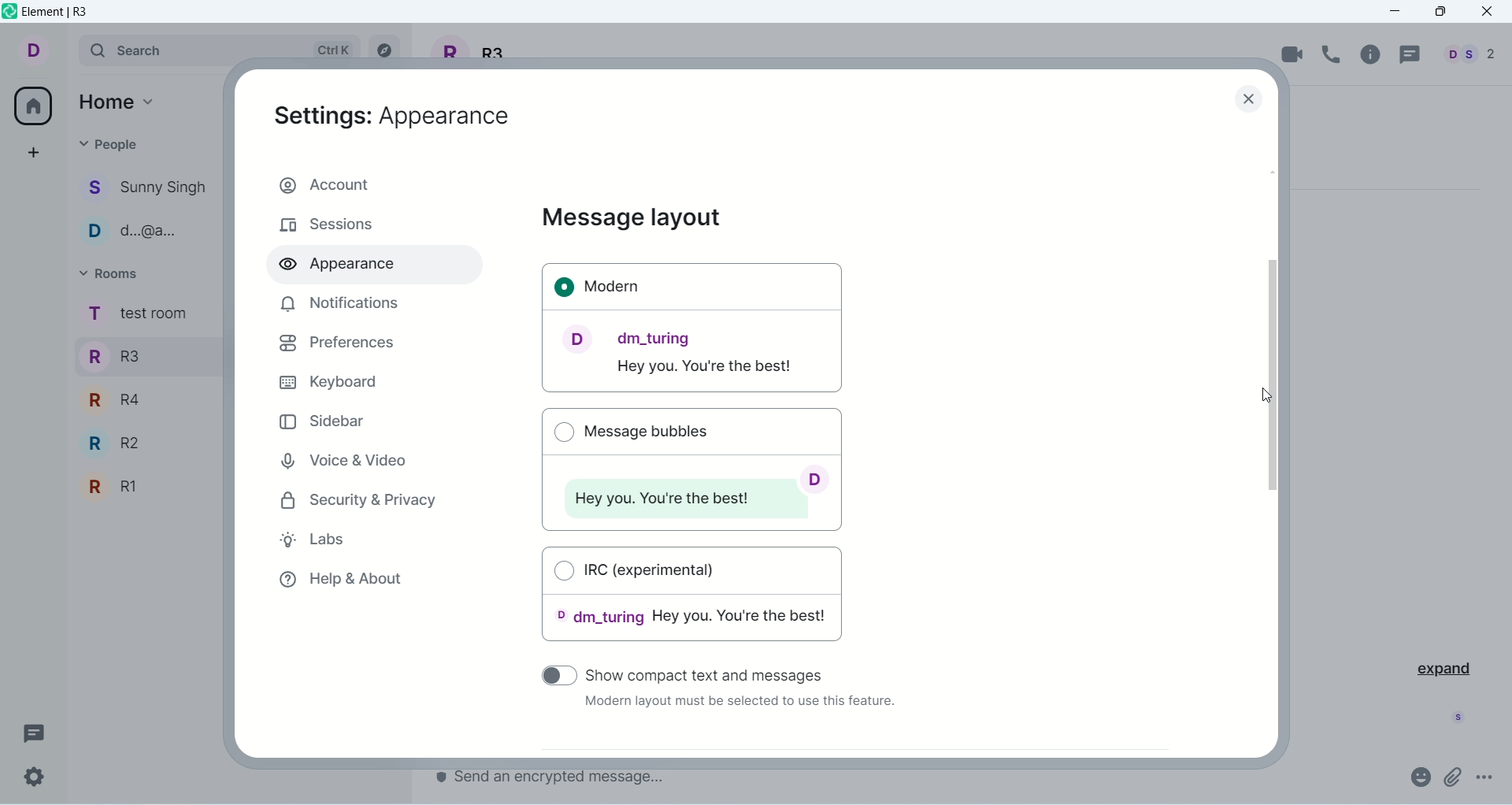 The width and height of the screenshot is (1512, 805). What do you see at coordinates (145, 488) in the screenshot?
I see `R1` at bounding box center [145, 488].